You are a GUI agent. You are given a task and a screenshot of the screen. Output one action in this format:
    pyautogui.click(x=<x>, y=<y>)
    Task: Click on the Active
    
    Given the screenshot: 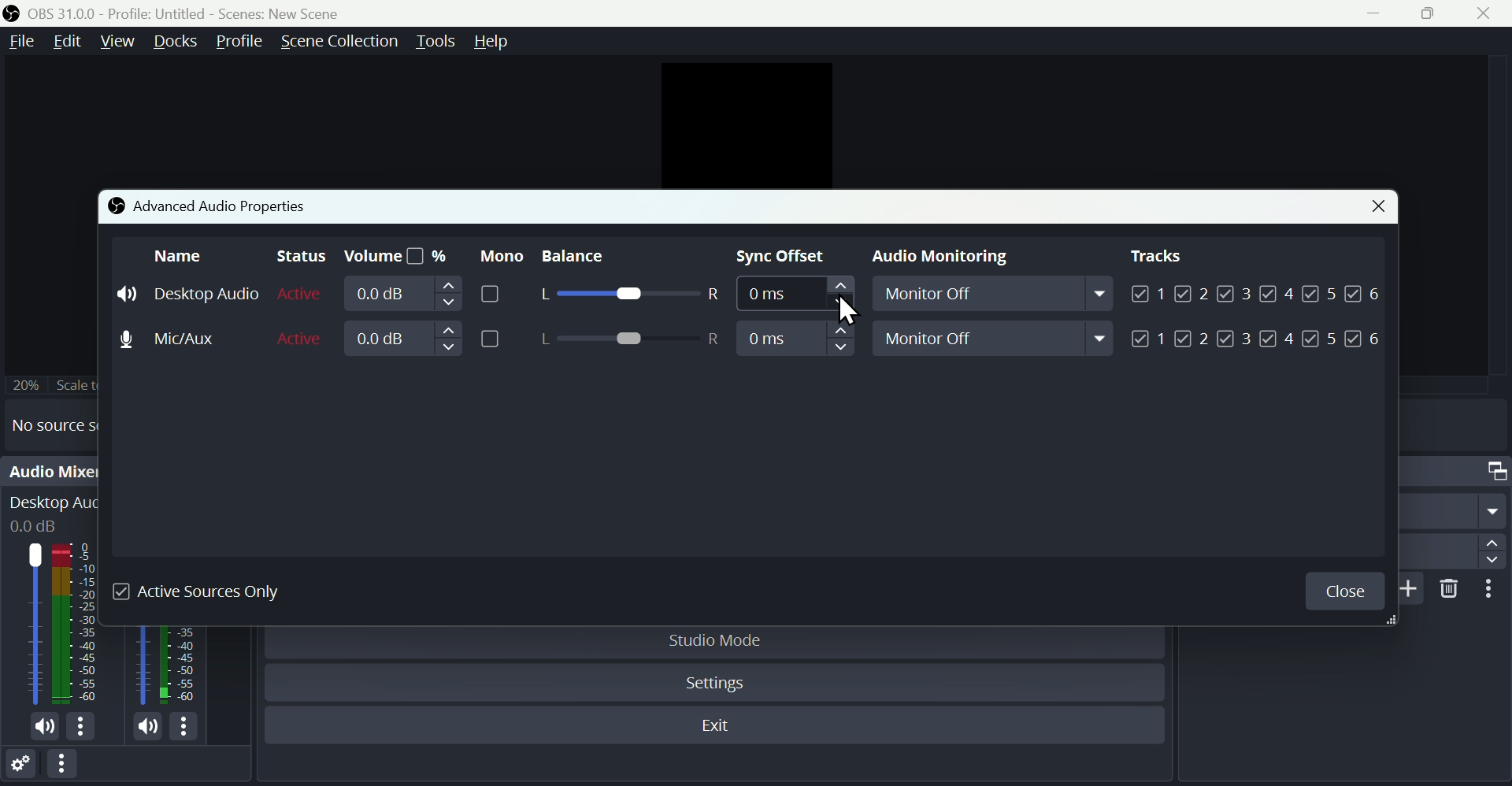 What is the action you would take?
    pyautogui.click(x=302, y=337)
    